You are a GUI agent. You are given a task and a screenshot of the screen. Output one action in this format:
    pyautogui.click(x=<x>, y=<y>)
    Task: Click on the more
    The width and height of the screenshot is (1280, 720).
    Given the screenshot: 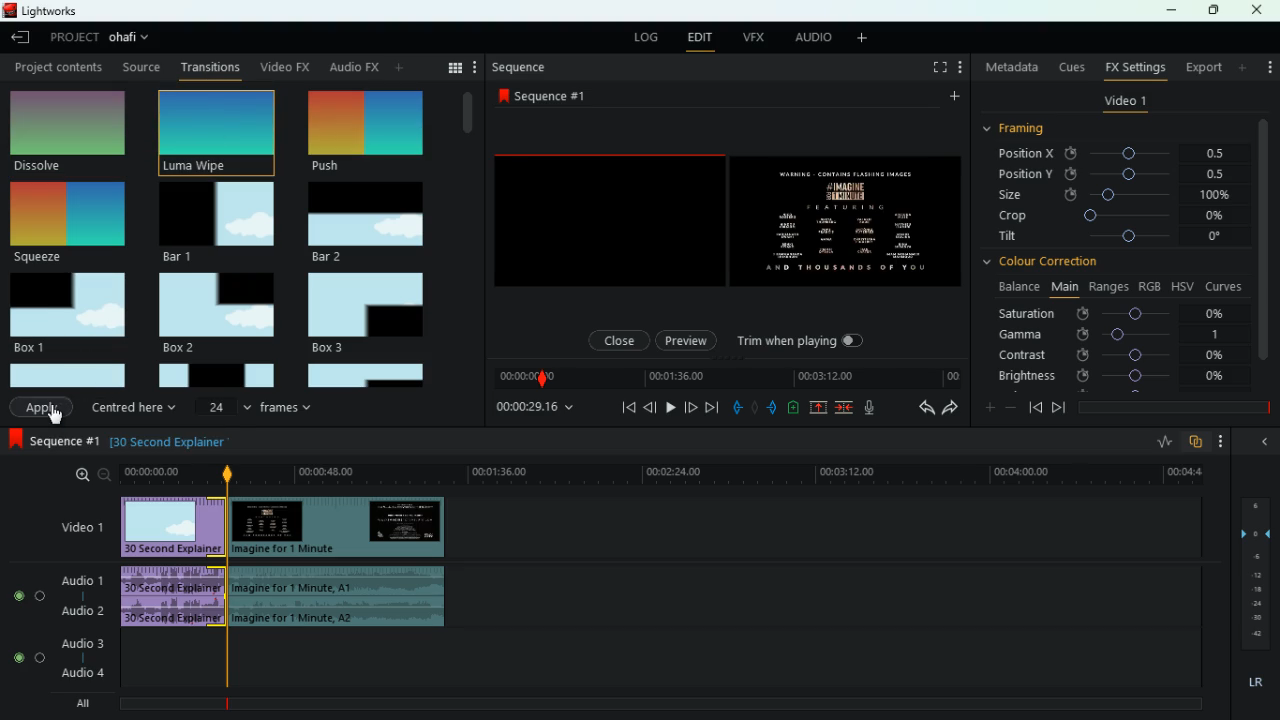 What is the action you would take?
    pyautogui.click(x=400, y=67)
    